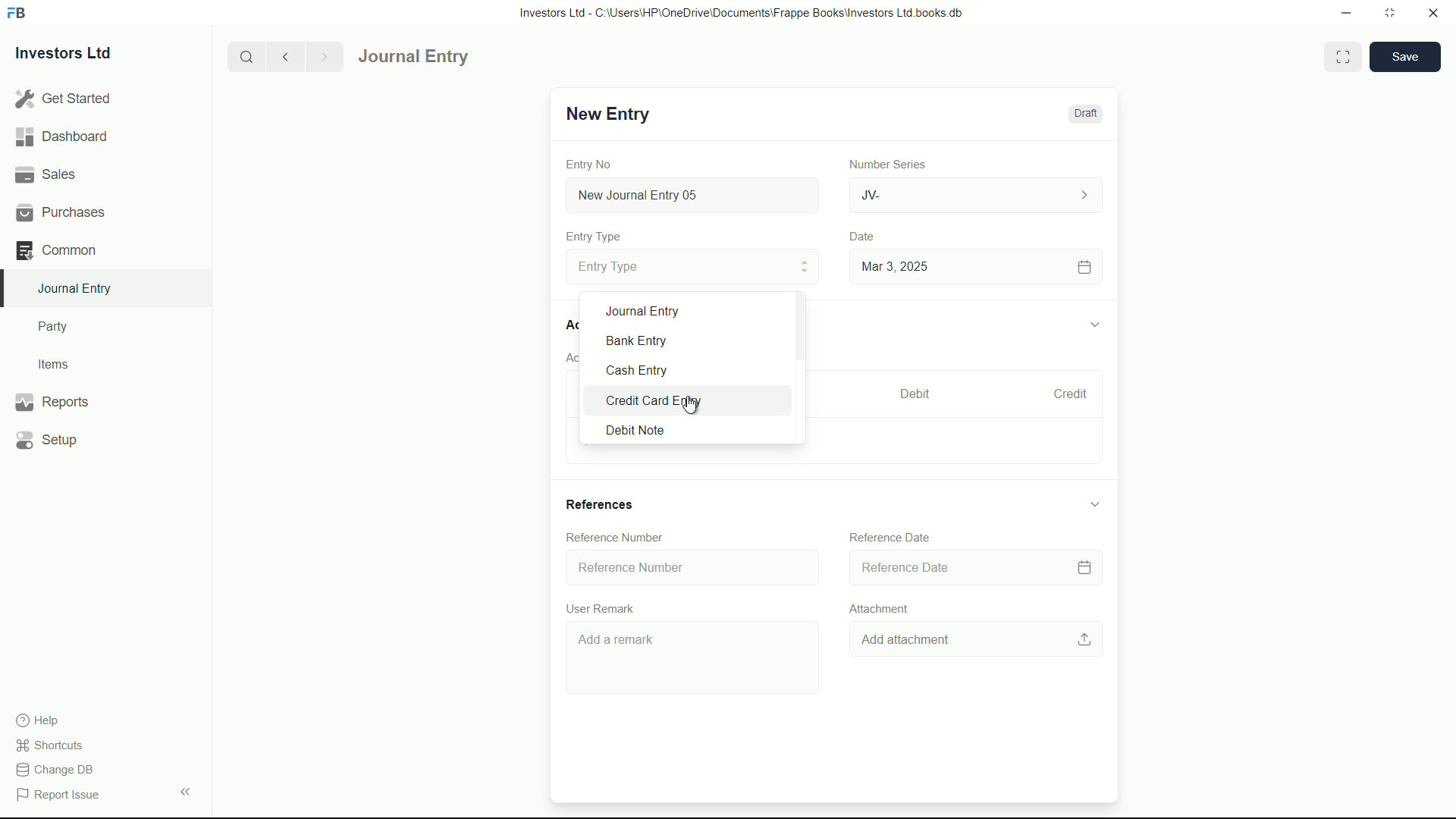 The image size is (1456, 819). I want to click on expand/collapse, so click(1094, 504).